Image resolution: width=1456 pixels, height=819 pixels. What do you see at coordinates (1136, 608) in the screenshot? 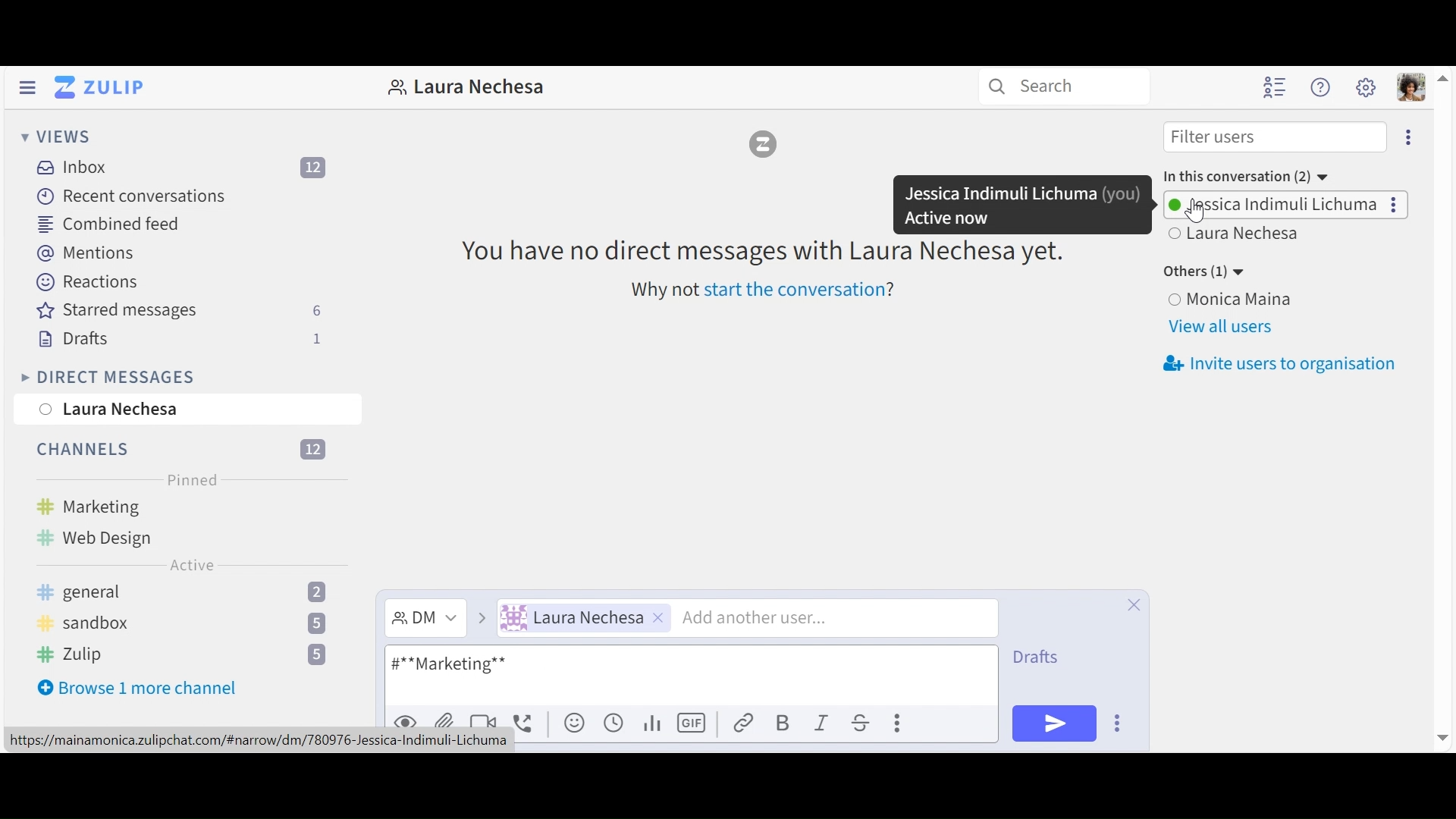
I see `Close` at bounding box center [1136, 608].